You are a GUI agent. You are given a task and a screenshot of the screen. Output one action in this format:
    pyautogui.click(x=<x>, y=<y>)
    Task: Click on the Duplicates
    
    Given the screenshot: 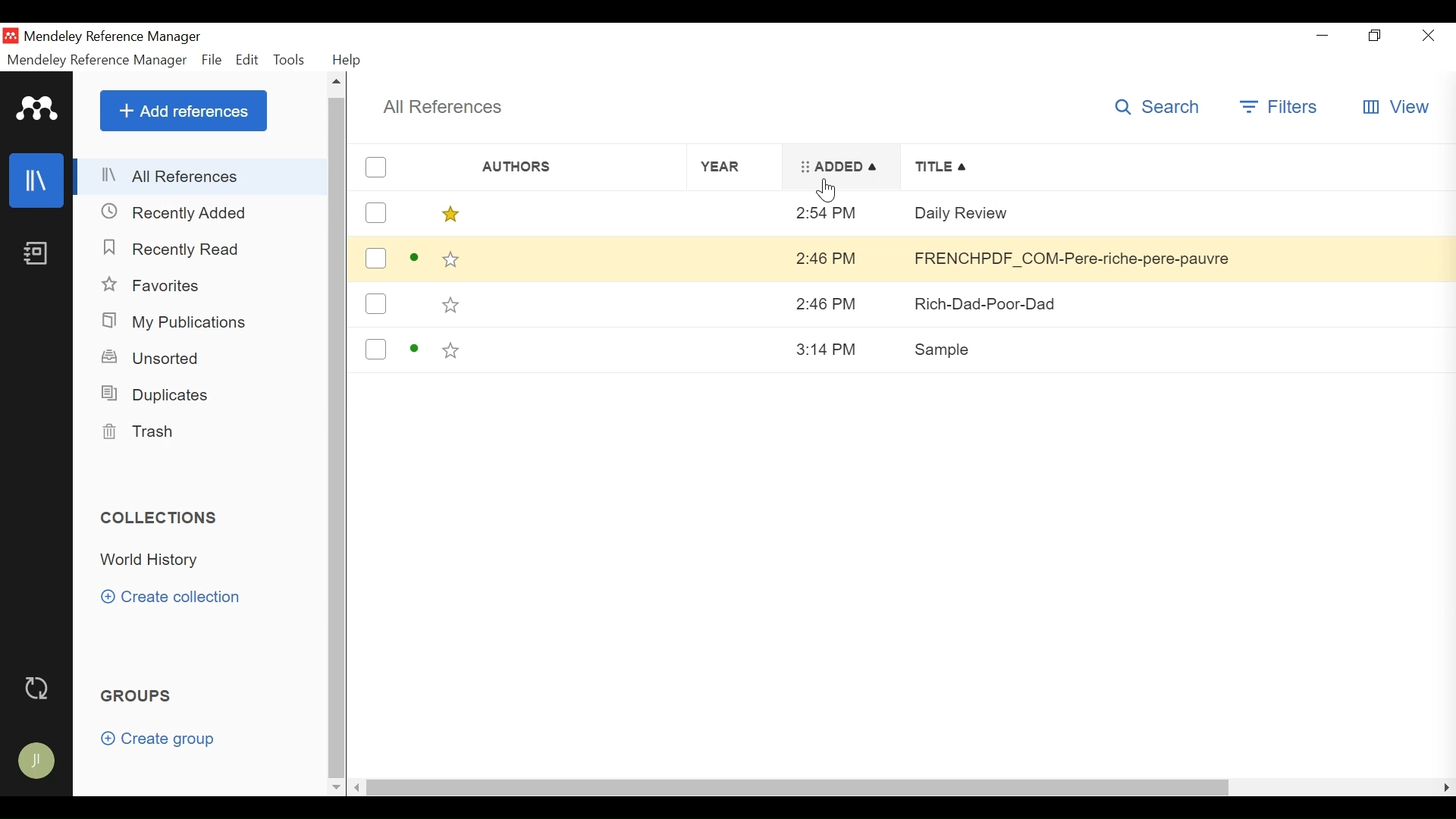 What is the action you would take?
    pyautogui.click(x=158, y=394)
    